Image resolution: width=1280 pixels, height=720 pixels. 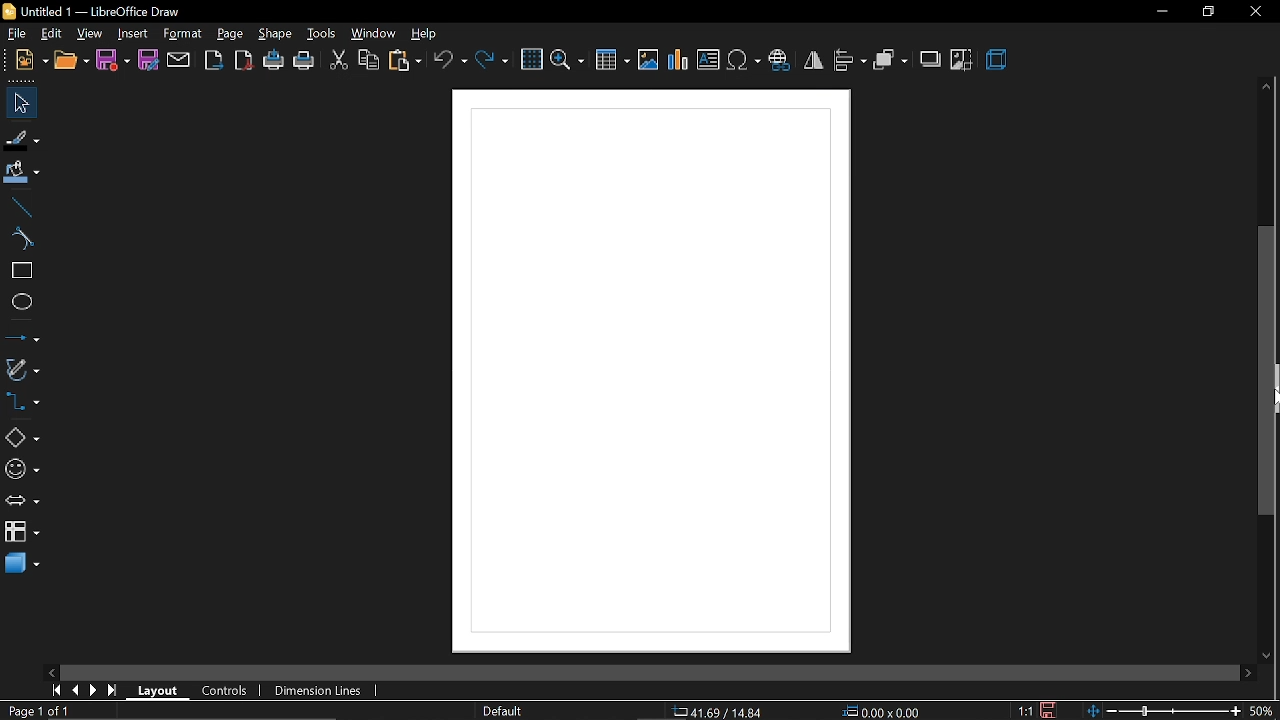 What do you see at coordinates (148, 61) in the screenshot?
I see `save as` at bounding box center [148, 61].